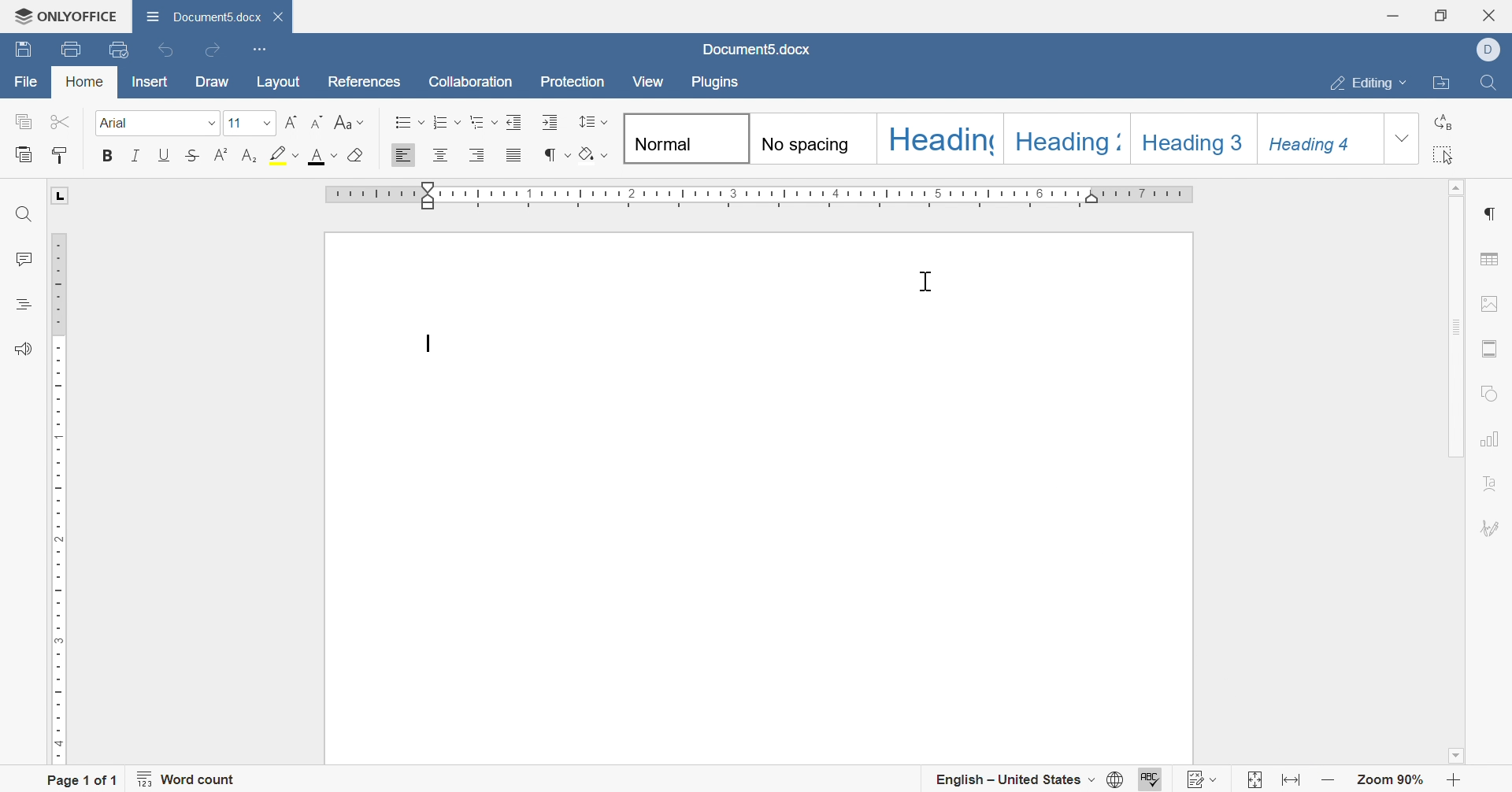 This screenshot has width=1512, height=792. I want to click on table settings, so click(1492, 258).